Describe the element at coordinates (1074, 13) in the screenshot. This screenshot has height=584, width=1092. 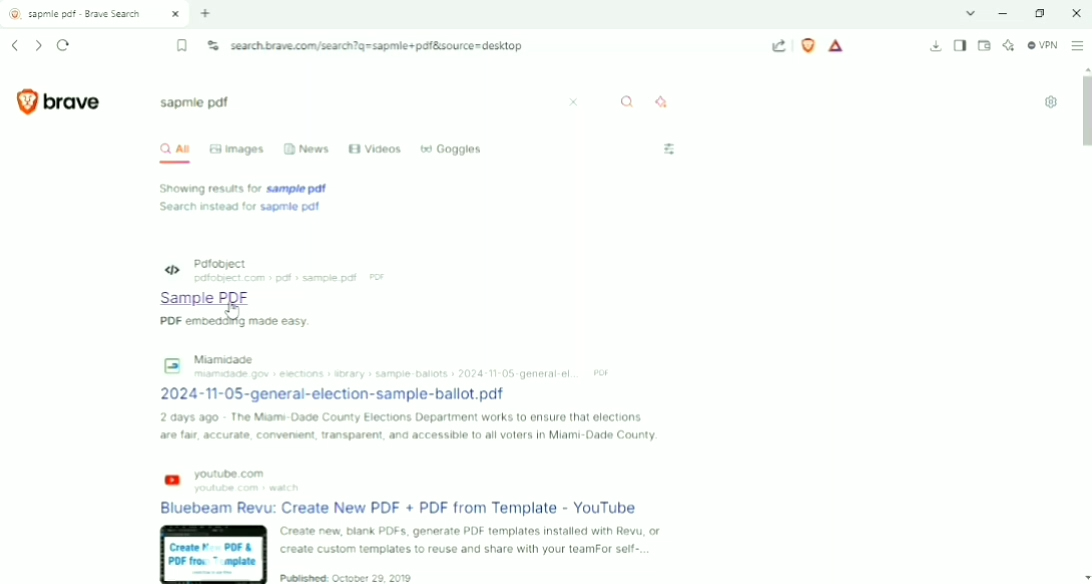
I see `Close` at that location.